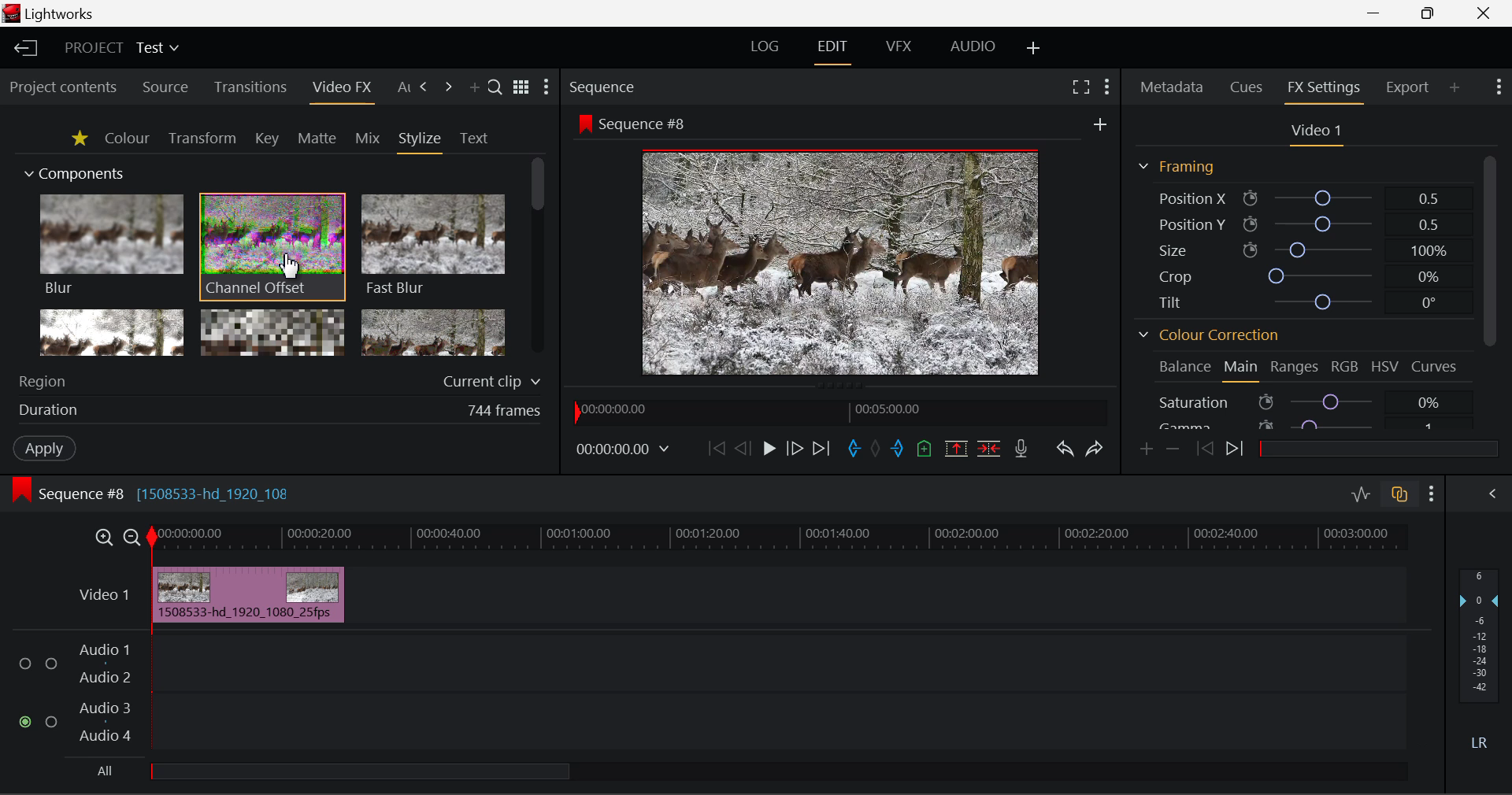  I want to click on Mark In, so click(854, 449).